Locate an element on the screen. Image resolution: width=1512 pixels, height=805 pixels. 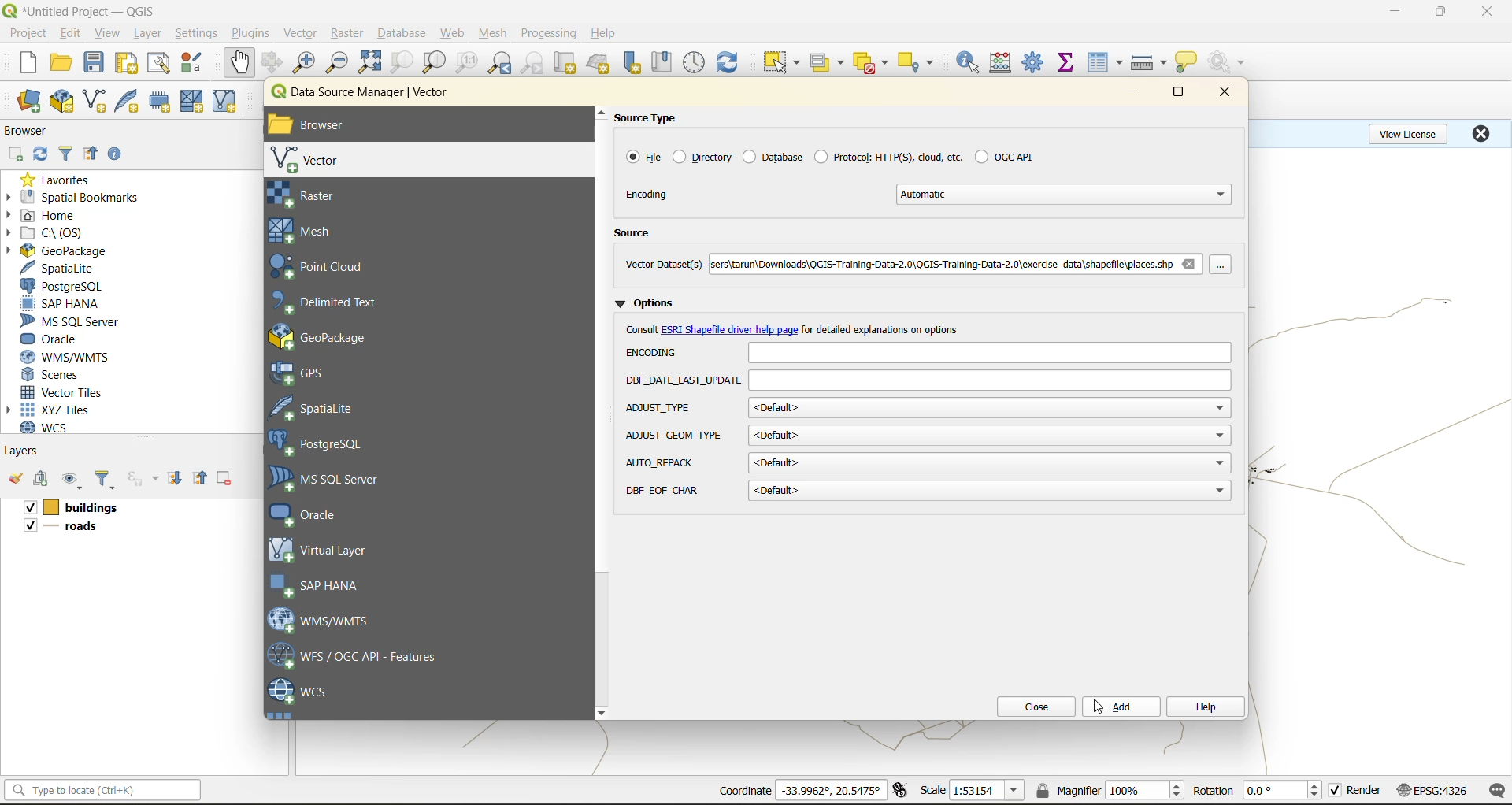
close is located at coordinates (1220, 93).